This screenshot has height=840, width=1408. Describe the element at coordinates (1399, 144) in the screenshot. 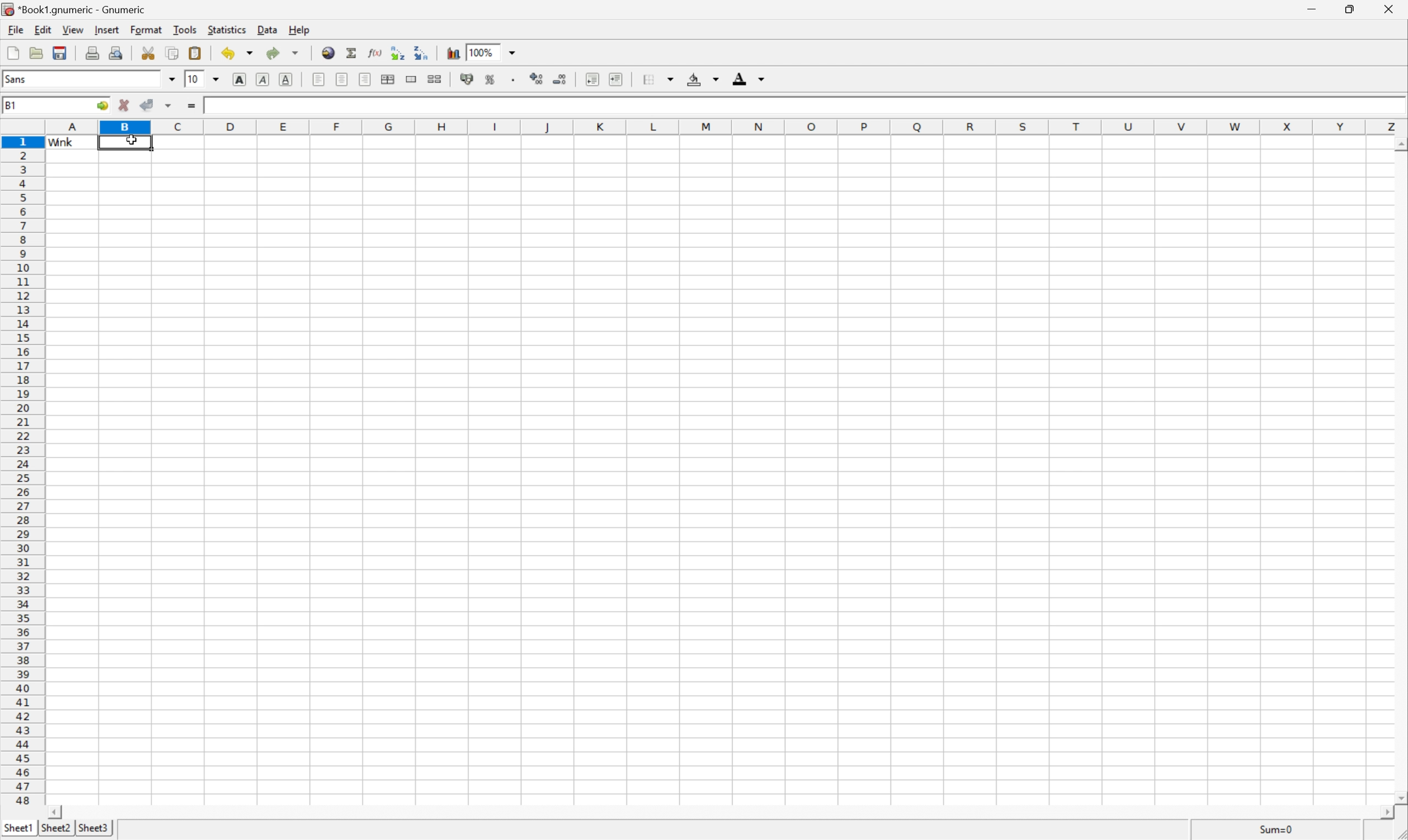

I see `scroll up` at that location.